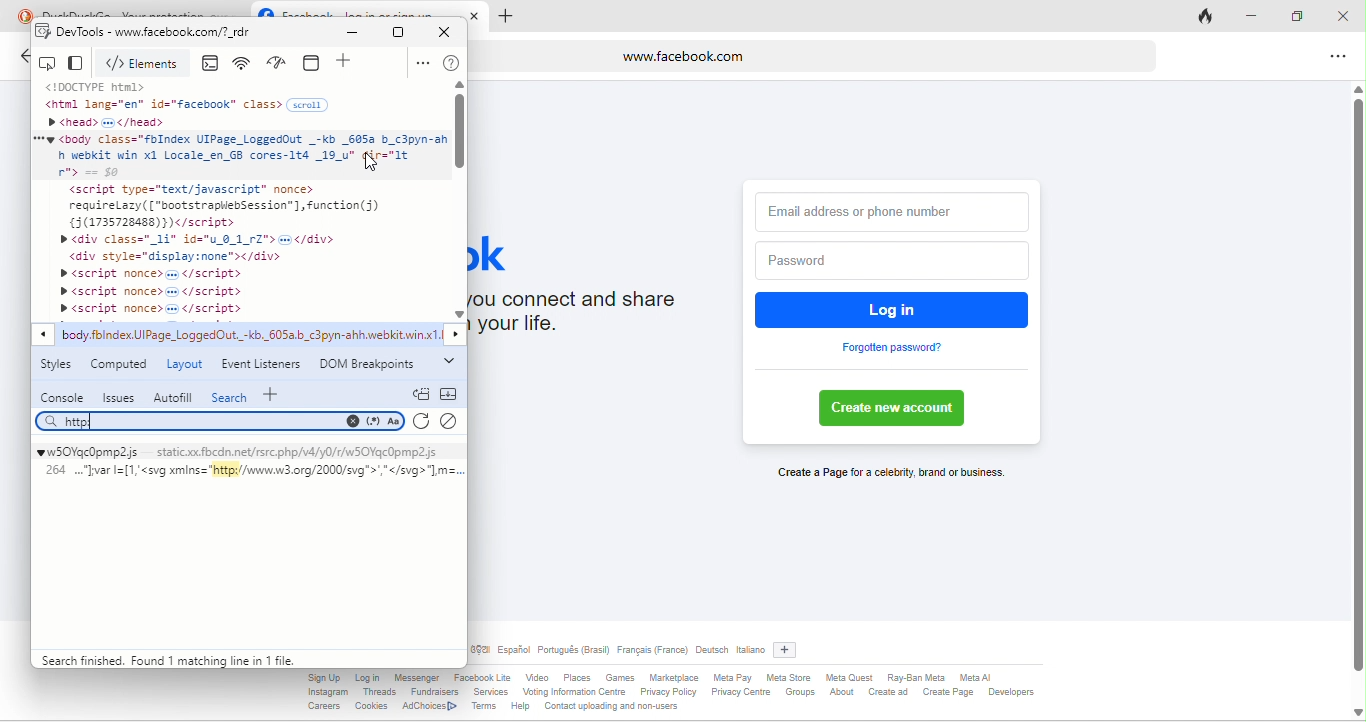 This screenshot has height=722, width=1366. I want to click on log in, so click(894, 309).